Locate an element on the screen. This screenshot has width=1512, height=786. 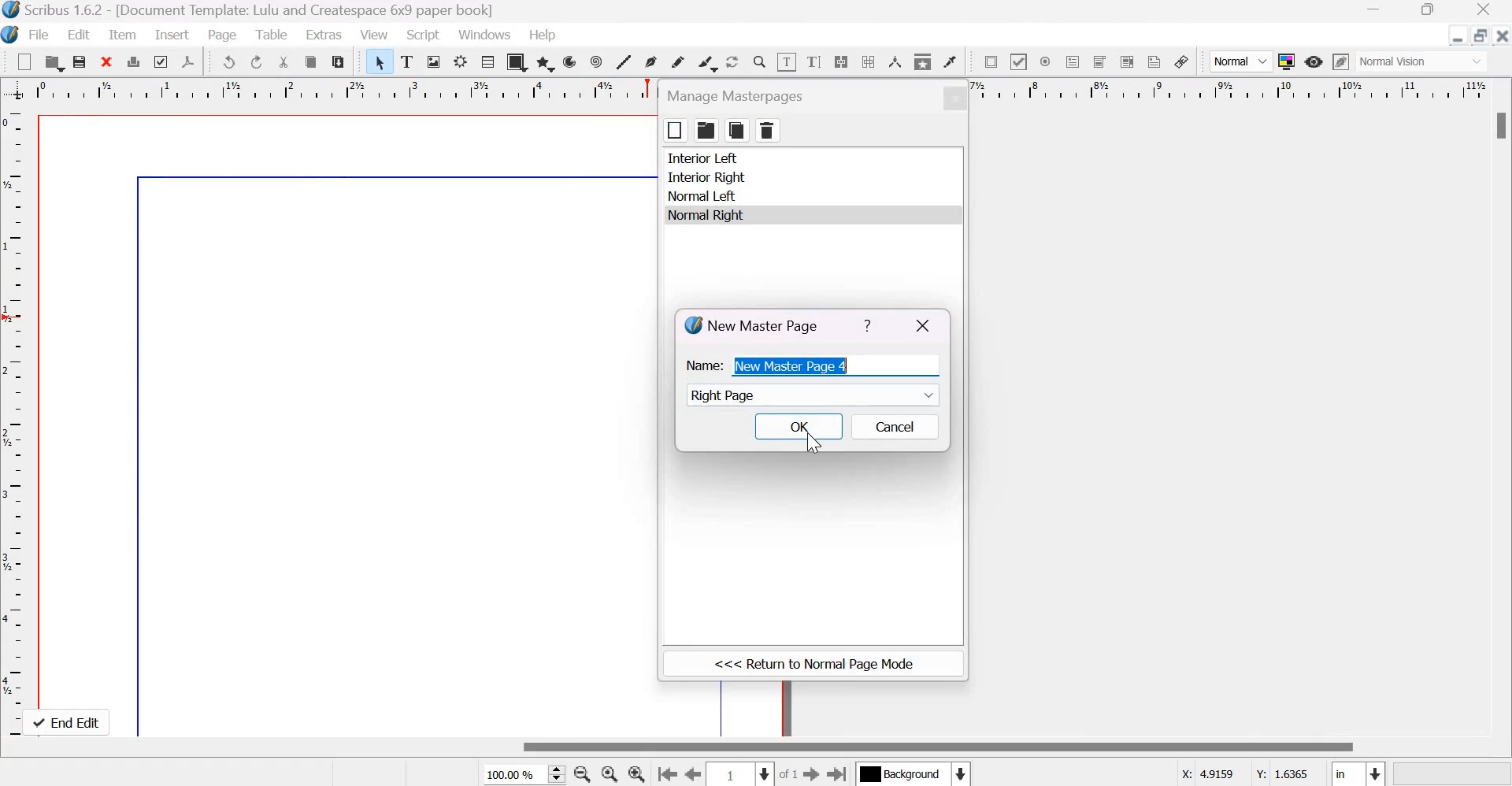
zoom in to 100% is located at coordinates (606, 773).